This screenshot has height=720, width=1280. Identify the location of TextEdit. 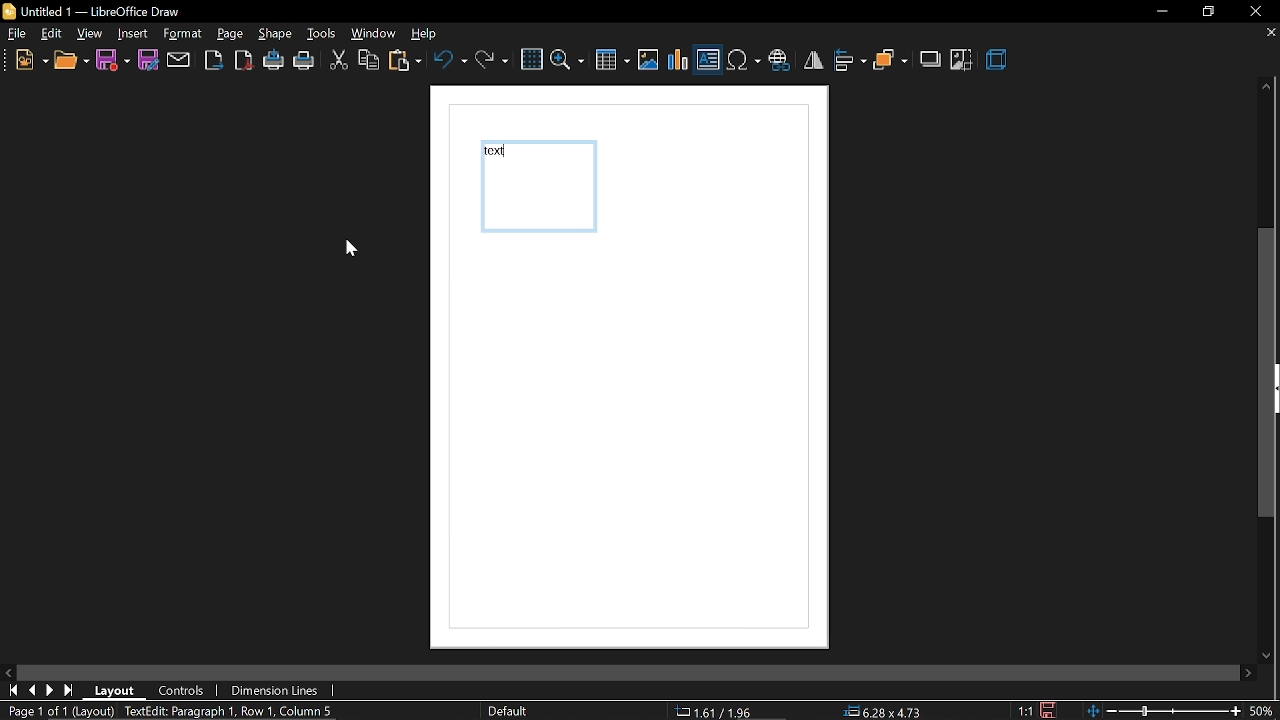
(238, 711).